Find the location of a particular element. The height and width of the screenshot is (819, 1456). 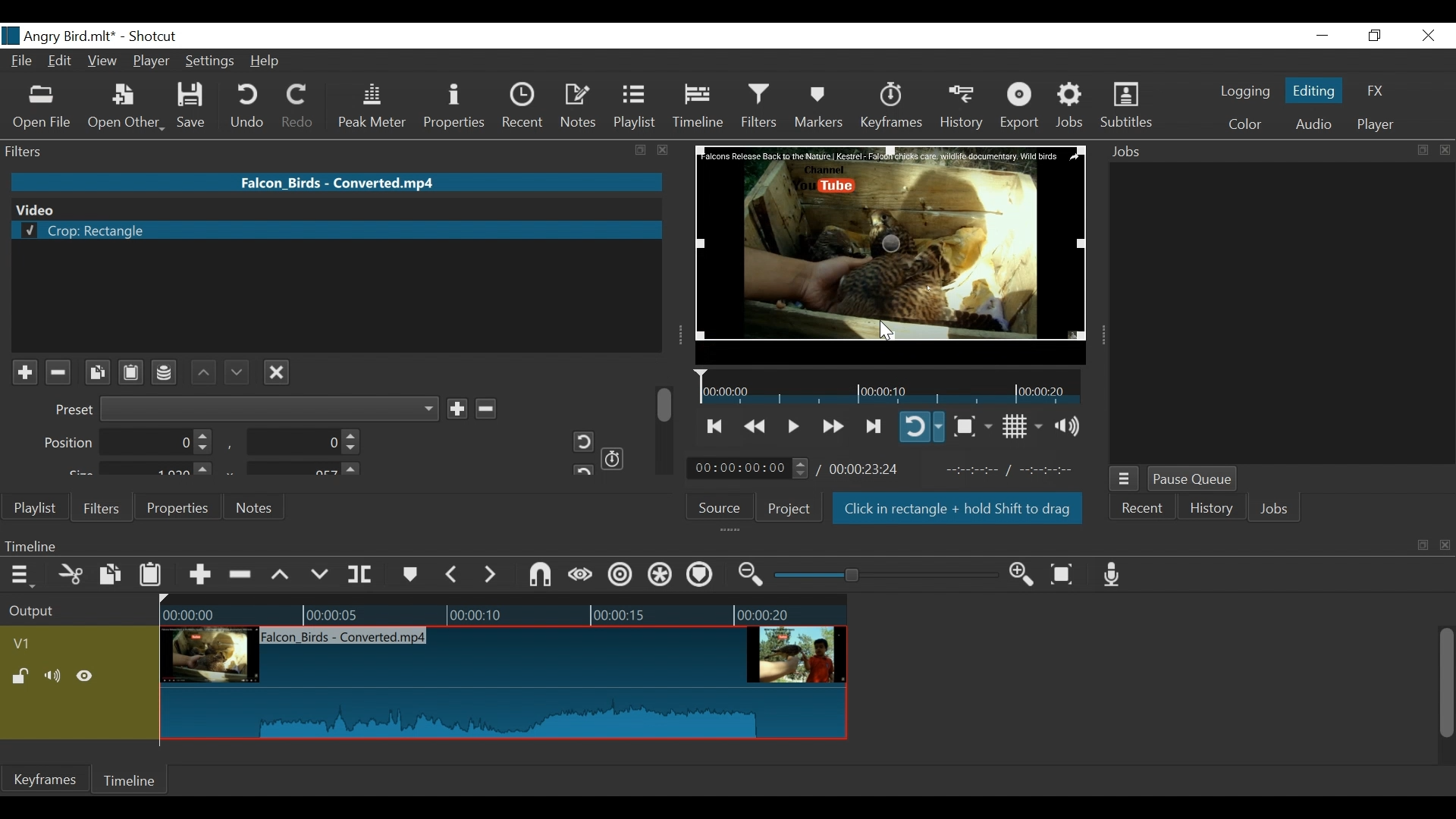

Open Other is located at coordinates (126, 107).